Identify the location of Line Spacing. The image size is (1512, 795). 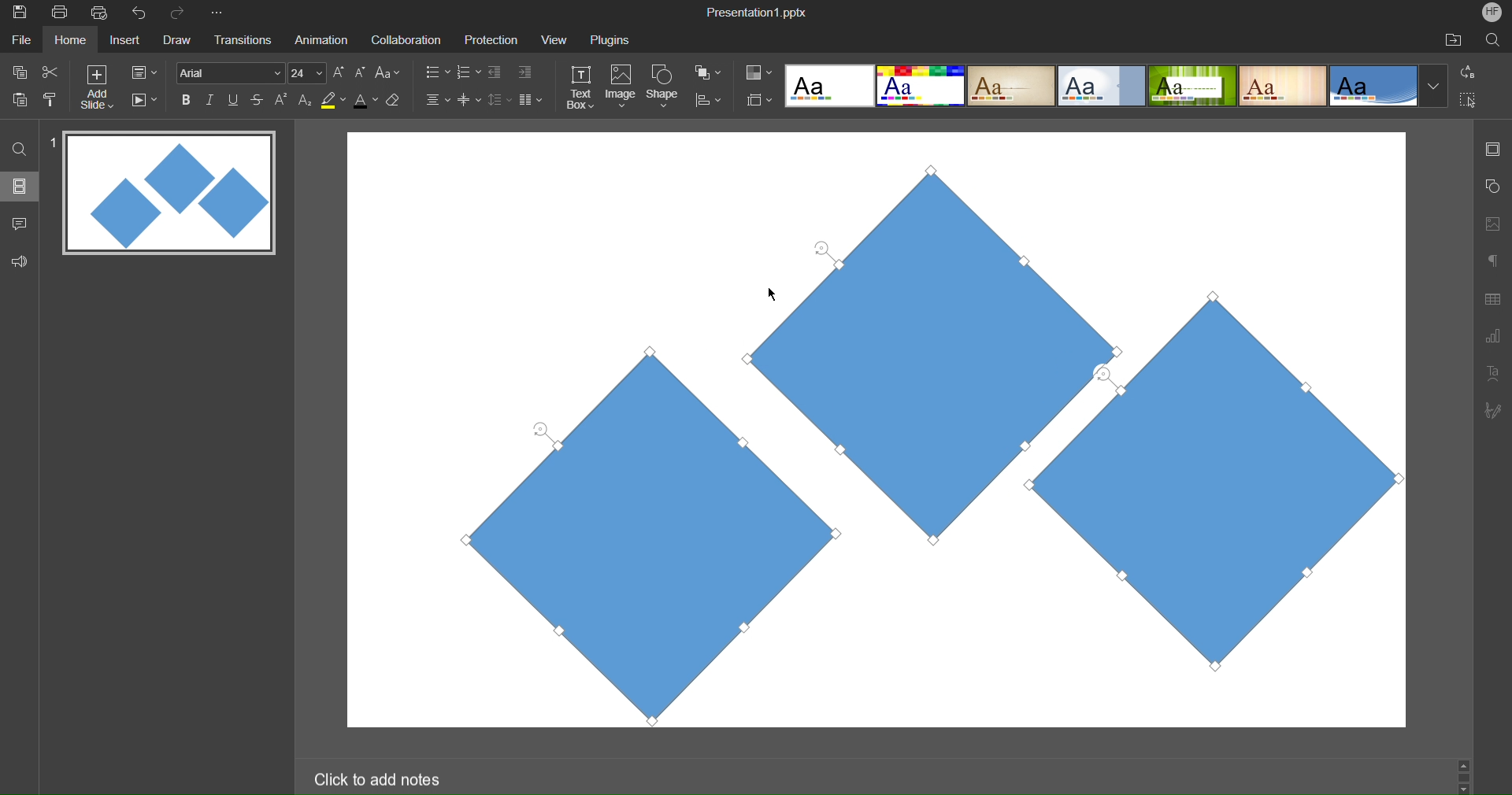
(498, 101).